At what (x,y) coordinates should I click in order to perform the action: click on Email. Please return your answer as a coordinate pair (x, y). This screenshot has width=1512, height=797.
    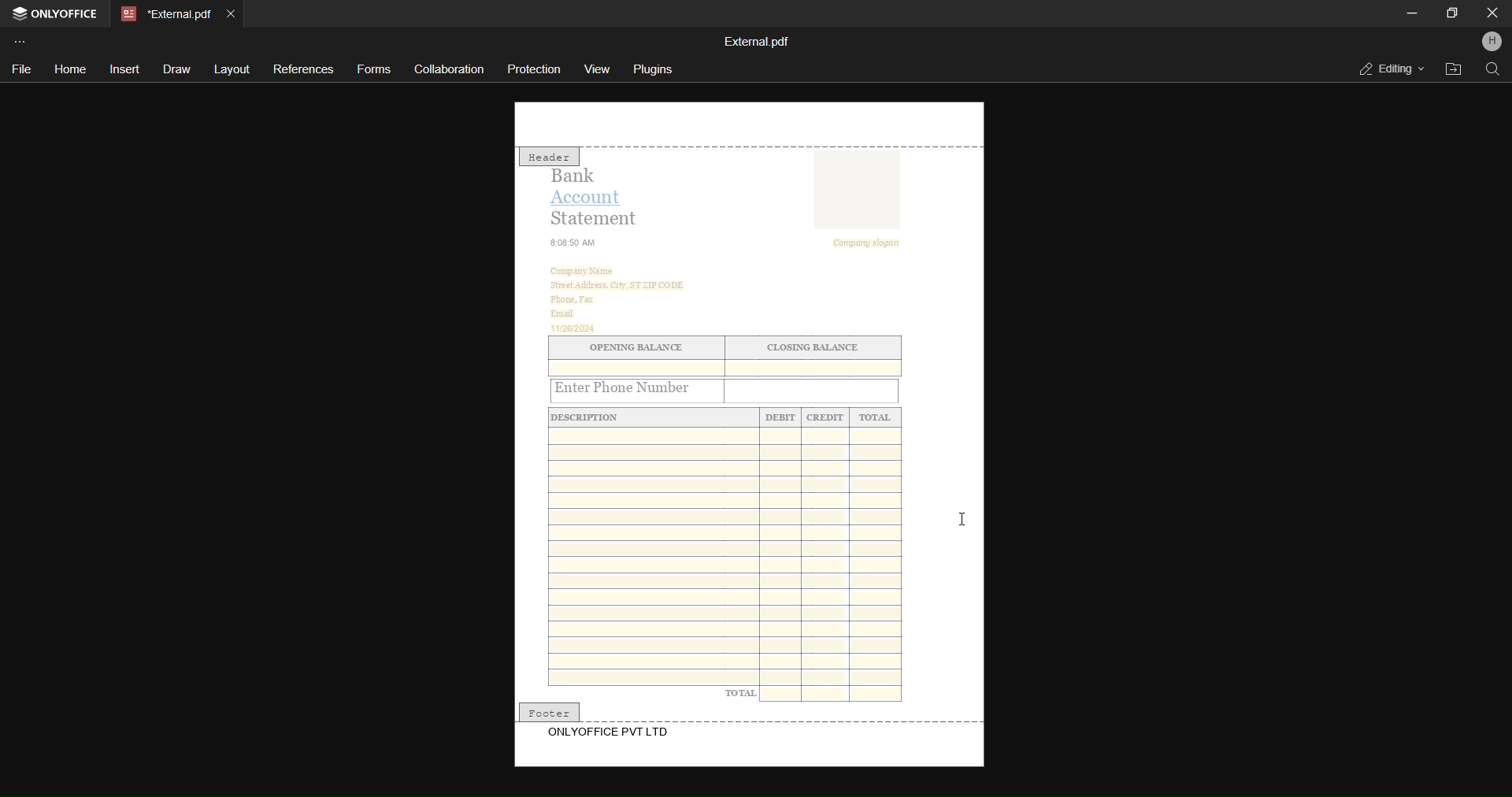
    Looking at the image, I should click on (562, 313).